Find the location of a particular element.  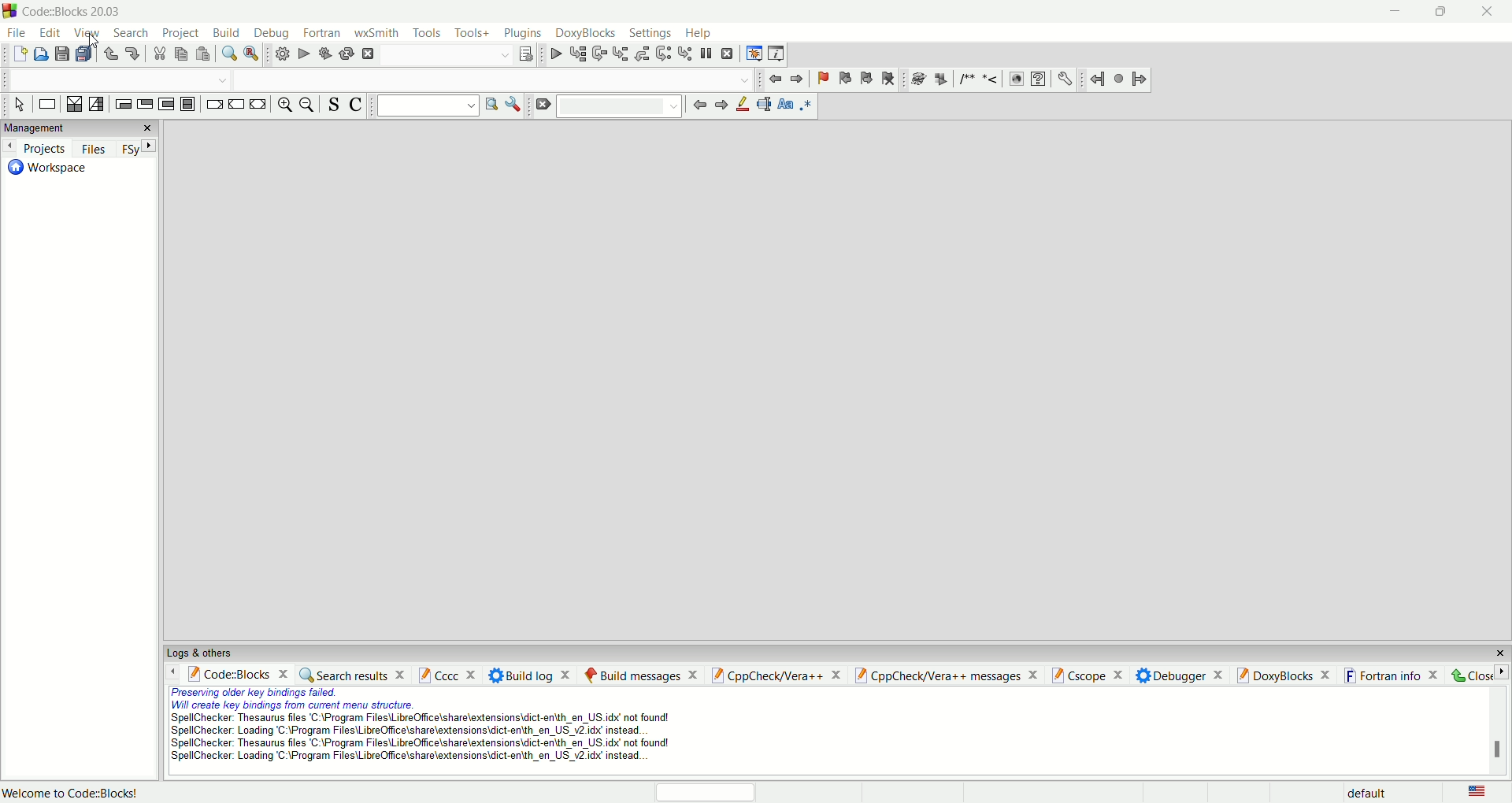

minimize is located at coordinates (1392, 14).